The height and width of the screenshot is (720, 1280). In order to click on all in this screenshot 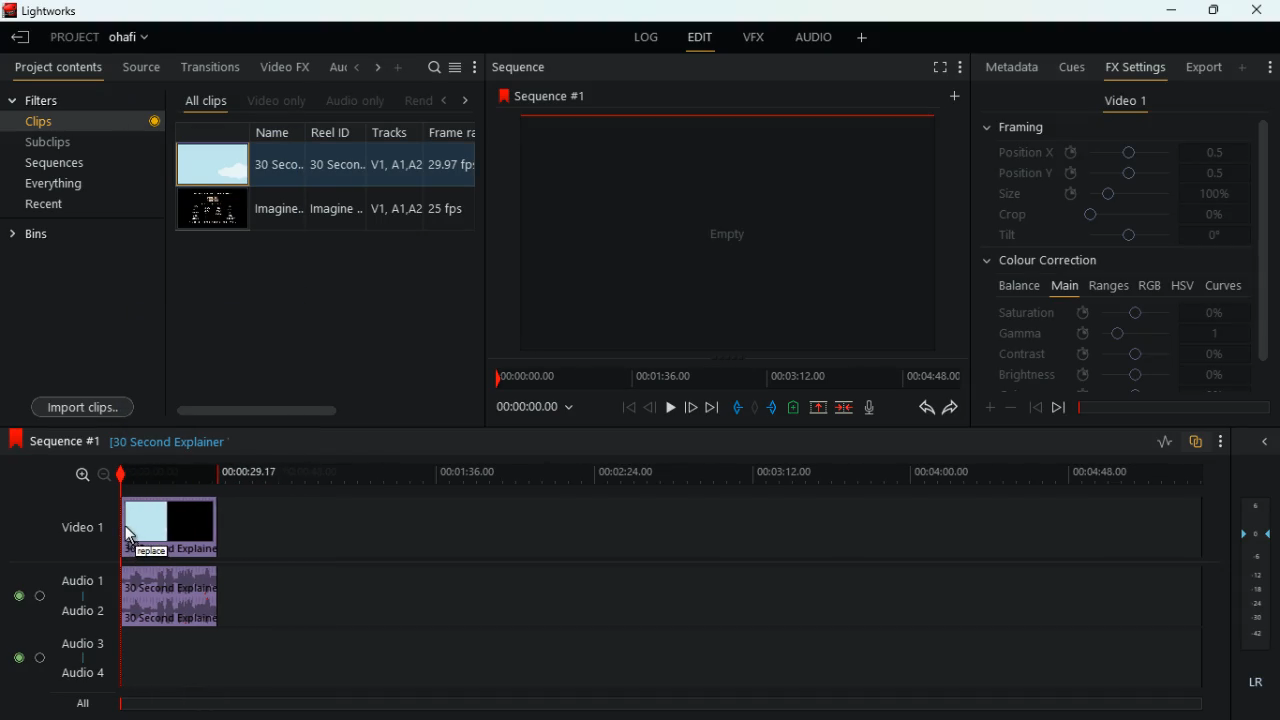, I will do `click(78, 705)`.